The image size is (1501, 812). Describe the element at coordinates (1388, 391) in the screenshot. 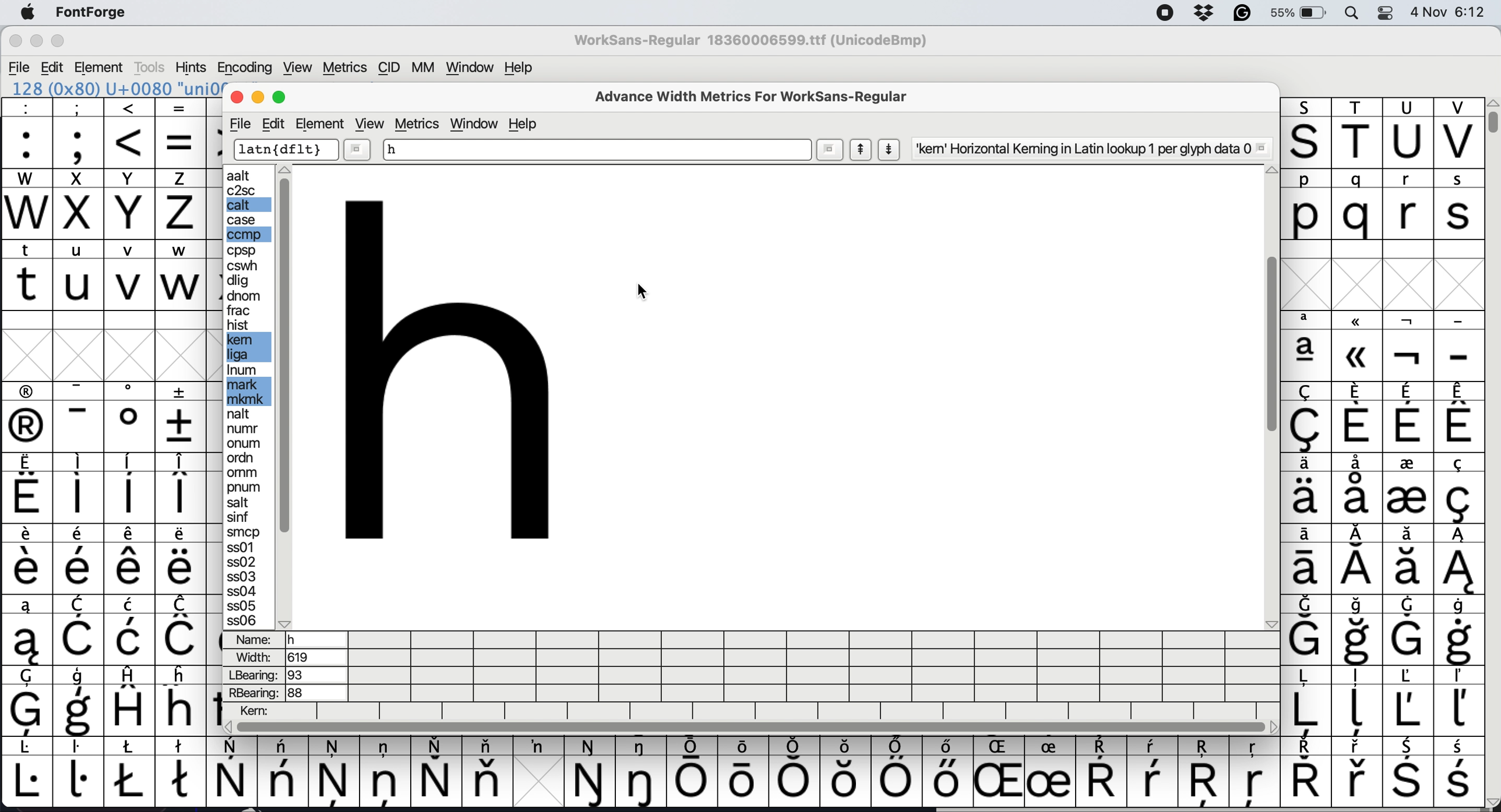

I see `special characters` at that location.